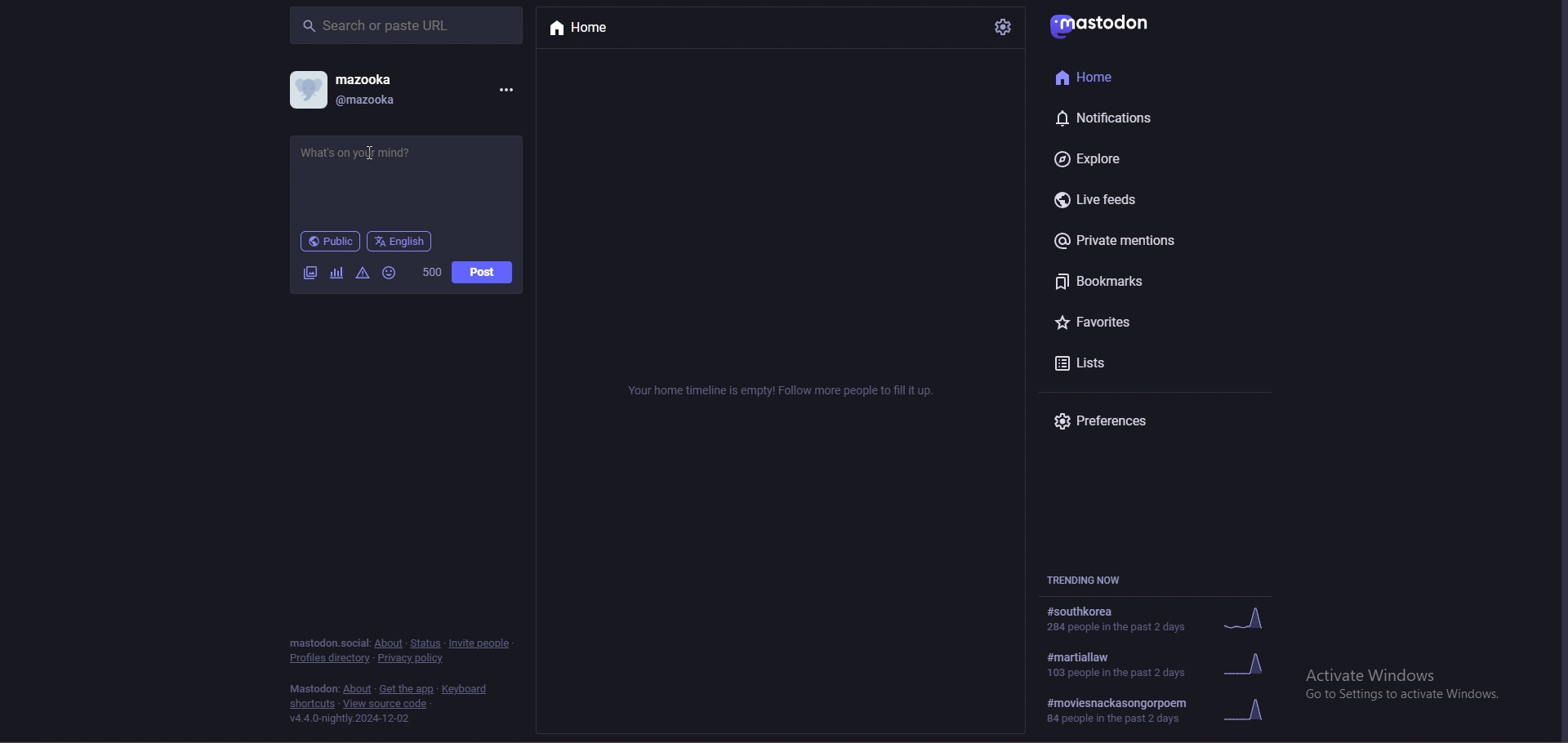 The image size is (1568, 743). I want to click on profile, so click(309, 89).